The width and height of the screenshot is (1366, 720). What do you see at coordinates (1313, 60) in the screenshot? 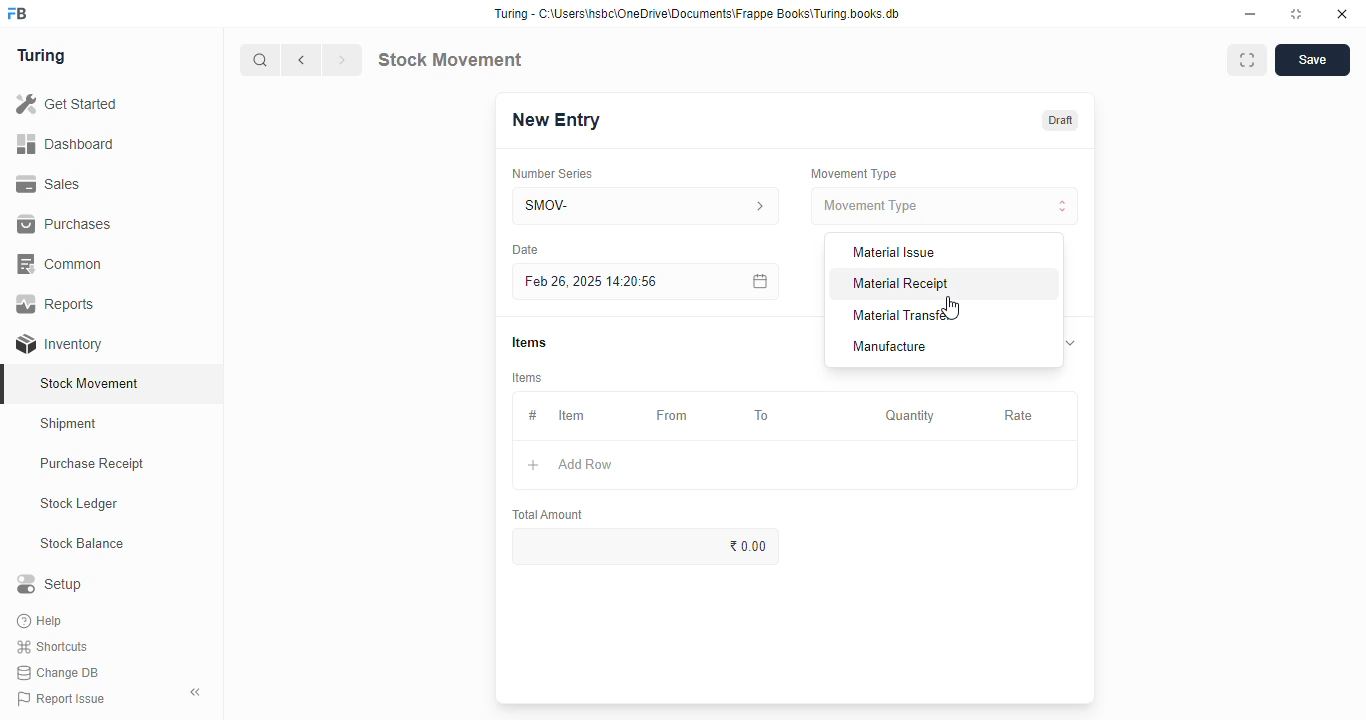
I see `save` at bounding box center [1313, 60].